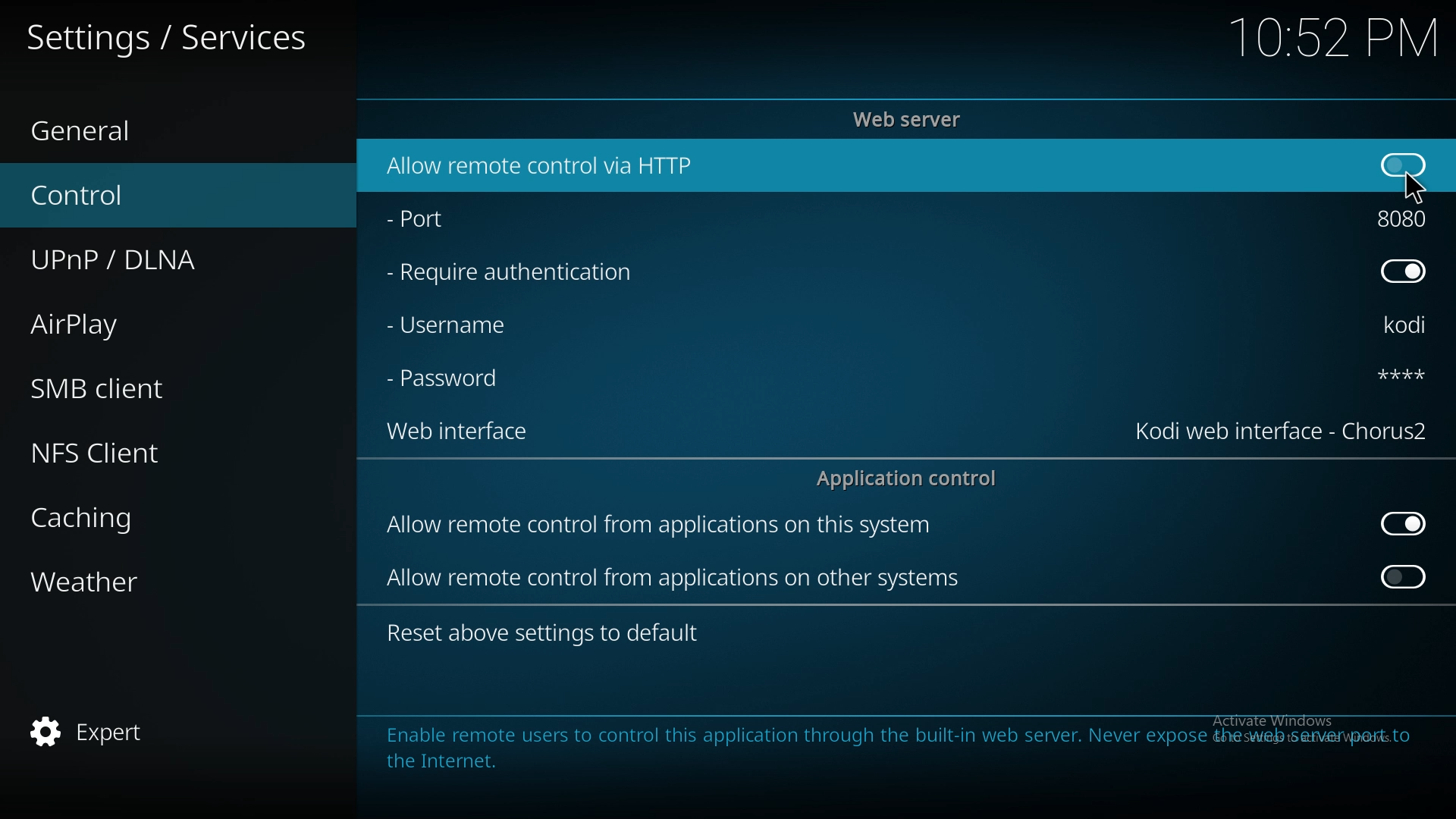 This screenshot has width=1456, height=819. Describe the element at coordinates (467, 434) in the screenshot. I see `web interface` at that location.